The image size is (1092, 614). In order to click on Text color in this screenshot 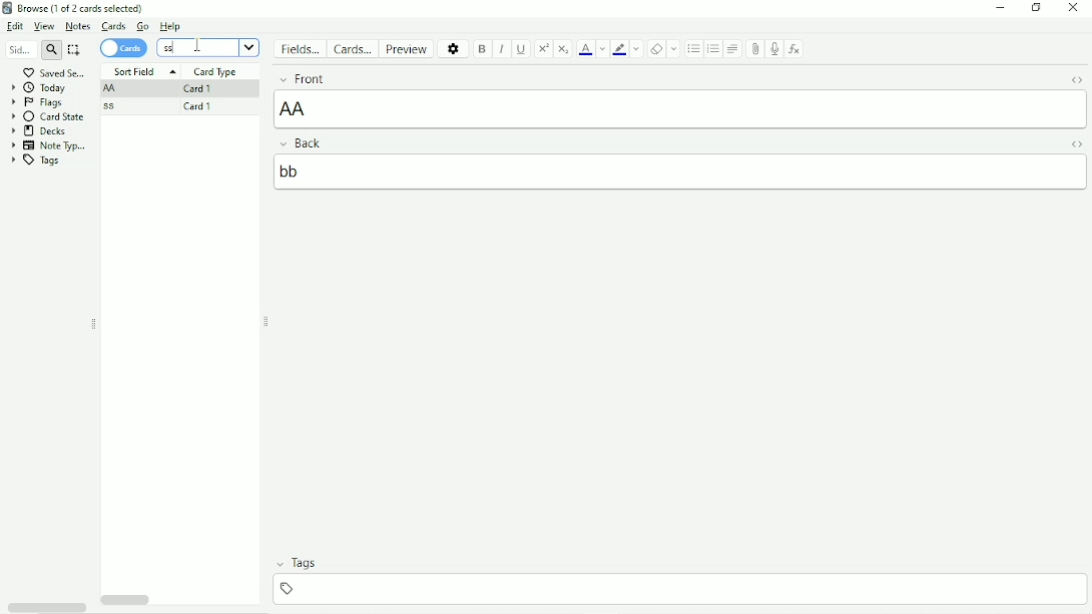, I will do `click(585, 49)`.